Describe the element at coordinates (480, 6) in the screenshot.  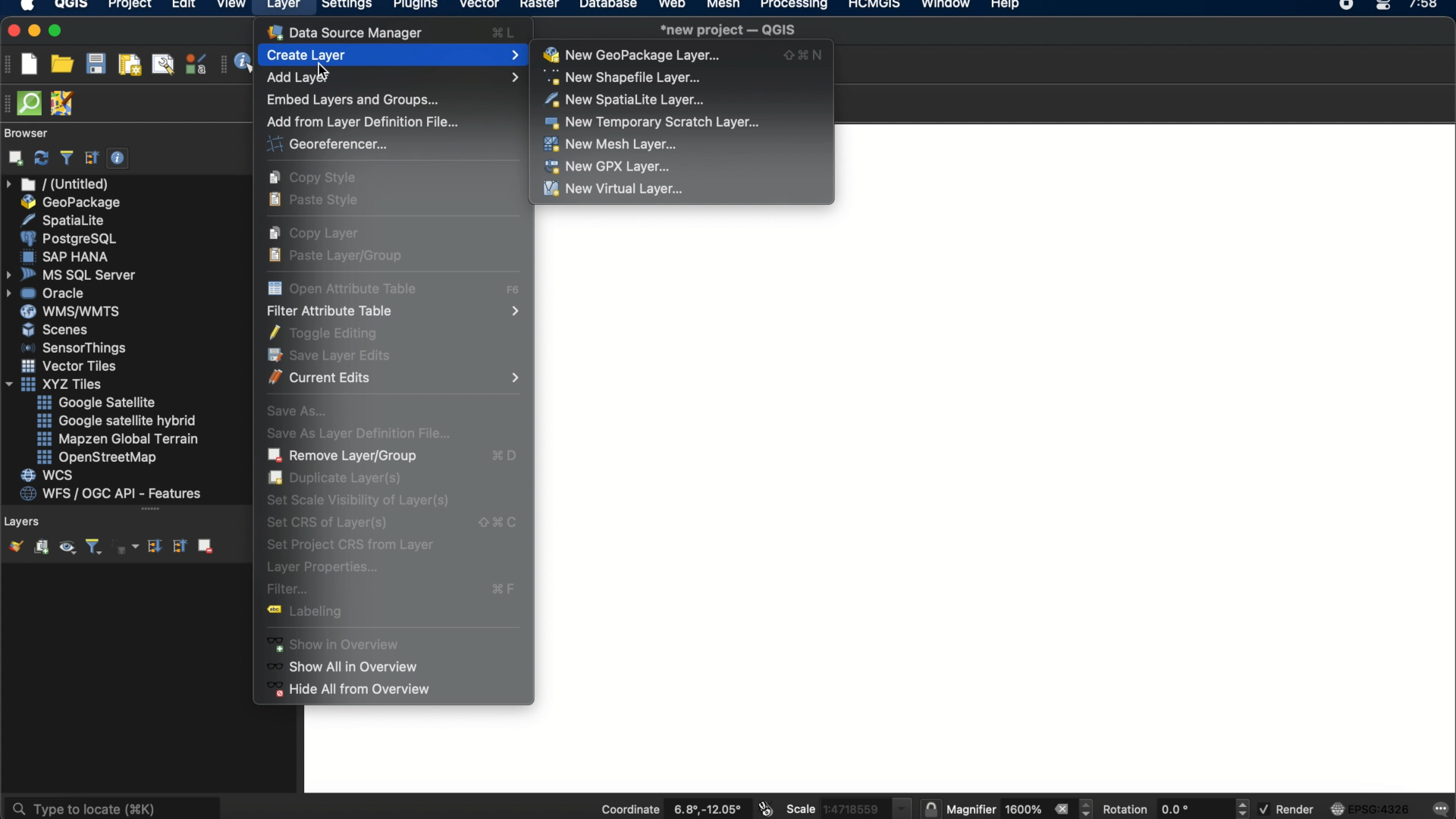
I see `vector` at that location.